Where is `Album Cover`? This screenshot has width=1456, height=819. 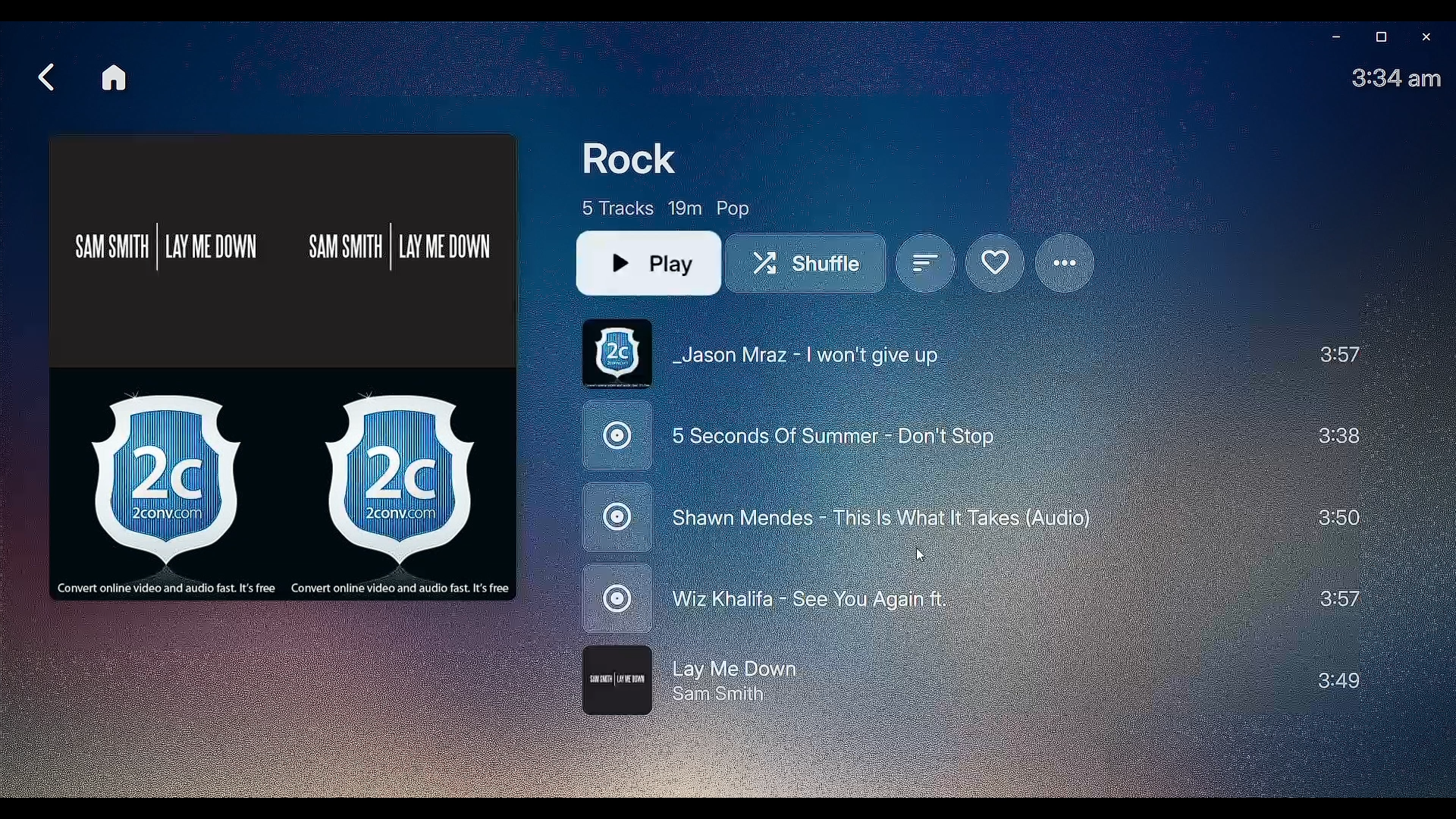 Album Cover is located at coordinates (284, 366).